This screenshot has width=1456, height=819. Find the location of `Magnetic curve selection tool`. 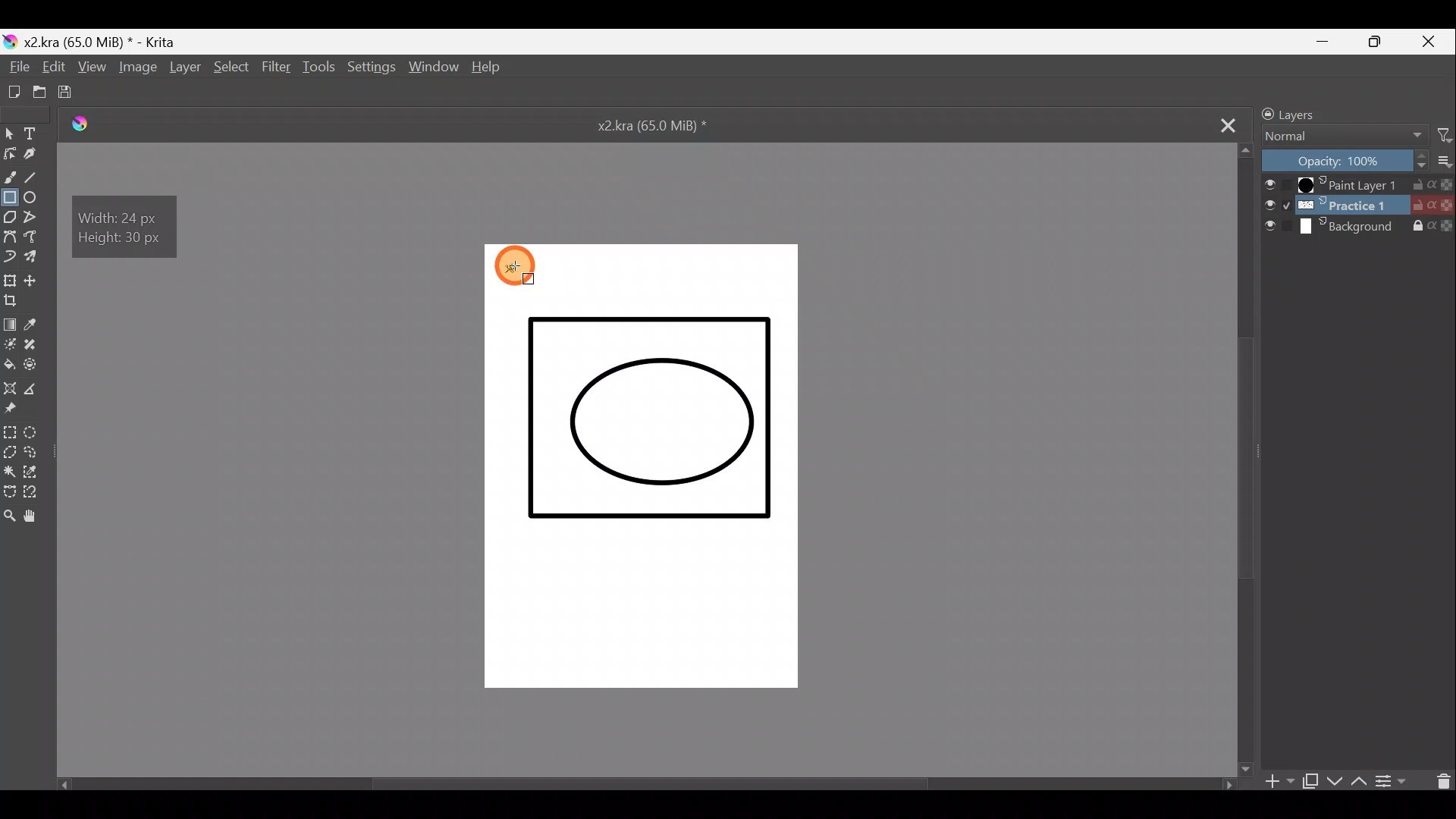

Magnetic curve selection tool is located at coordinates (36, 494).